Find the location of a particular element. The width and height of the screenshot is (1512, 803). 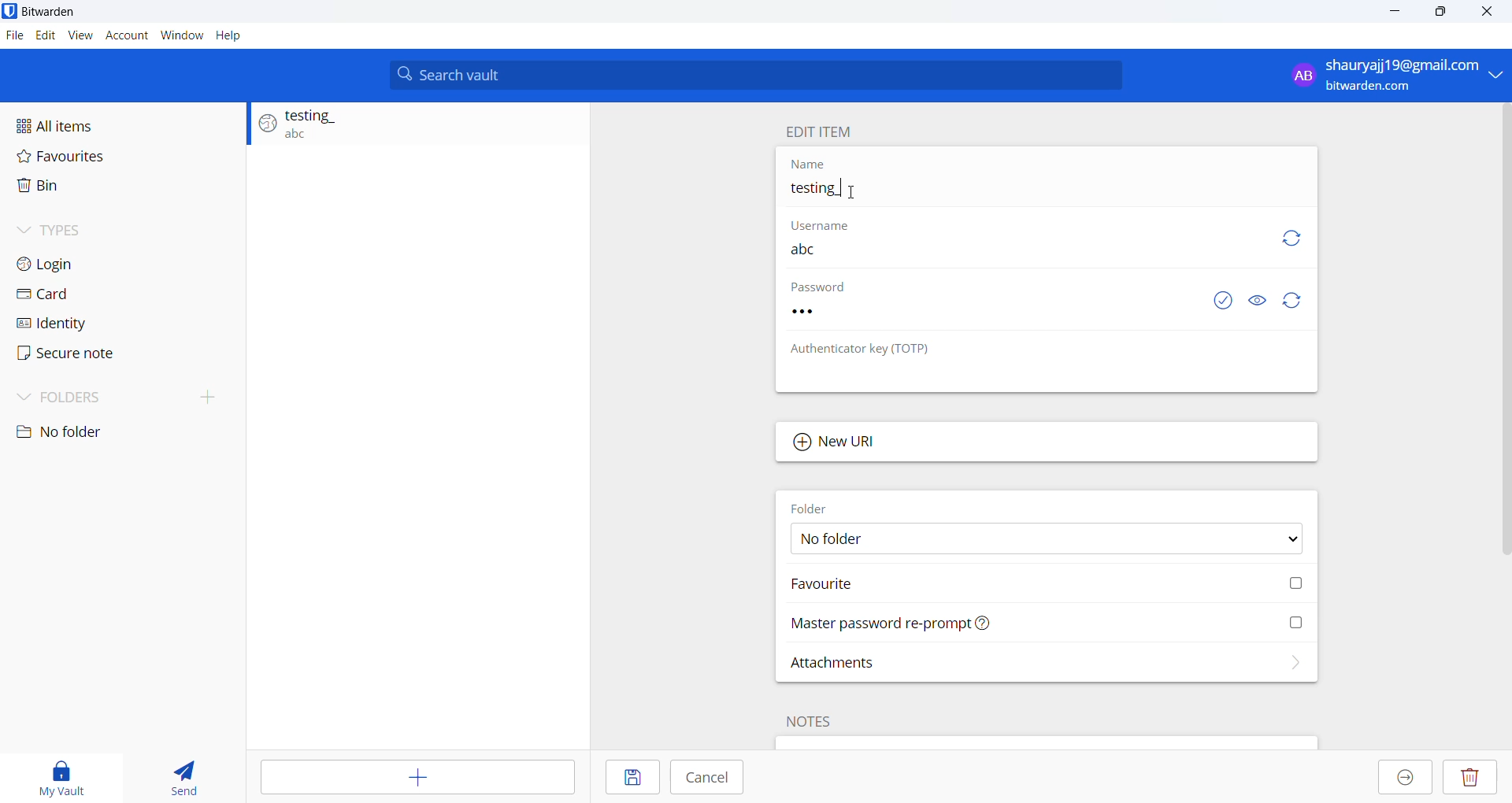

Close is located at coordinates (1492, 14).